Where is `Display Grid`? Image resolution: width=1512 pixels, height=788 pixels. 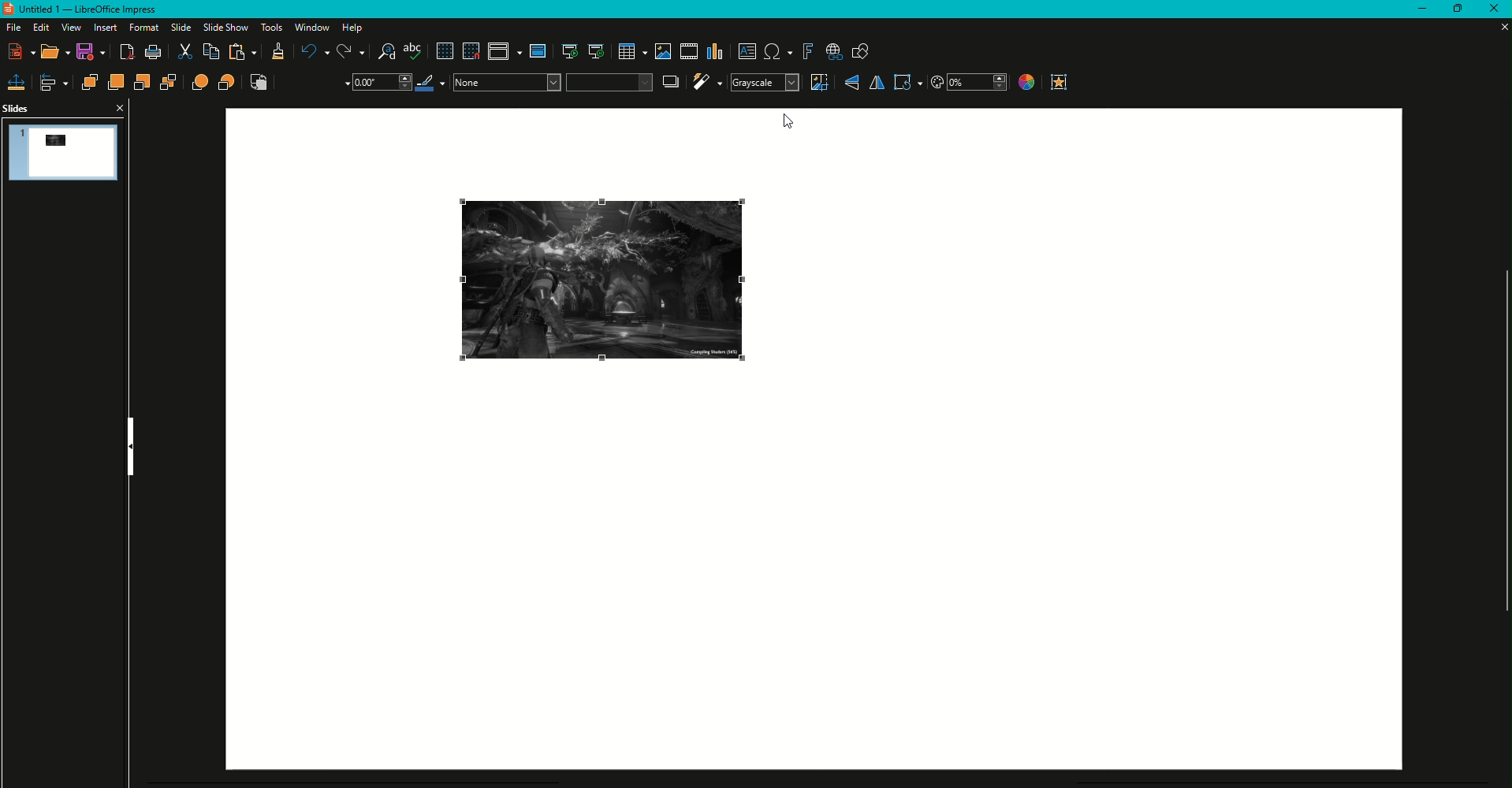
Display Grid is located at coordinates (443, 52).